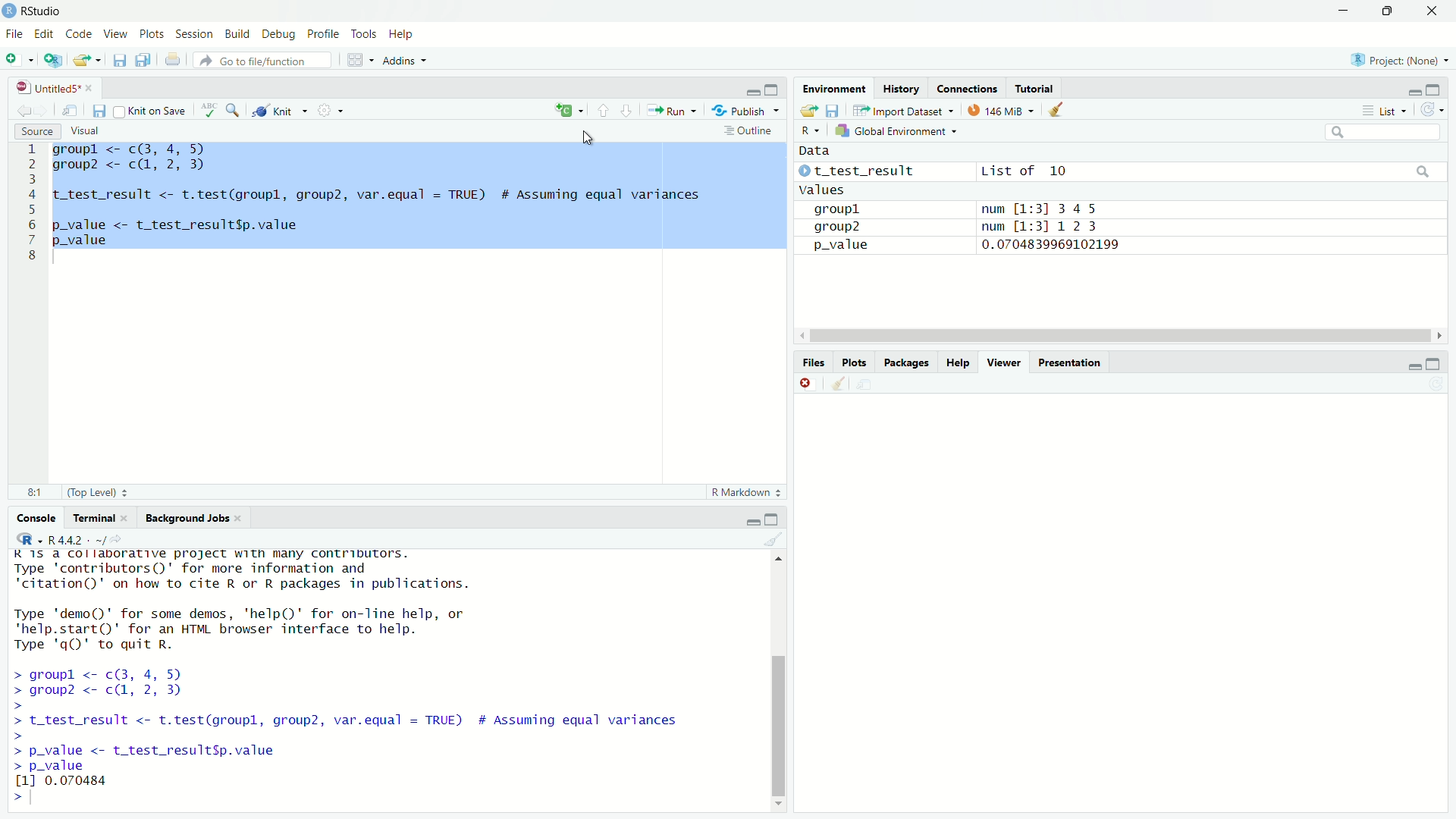  I want to click on load workspace, so click(808, 110).